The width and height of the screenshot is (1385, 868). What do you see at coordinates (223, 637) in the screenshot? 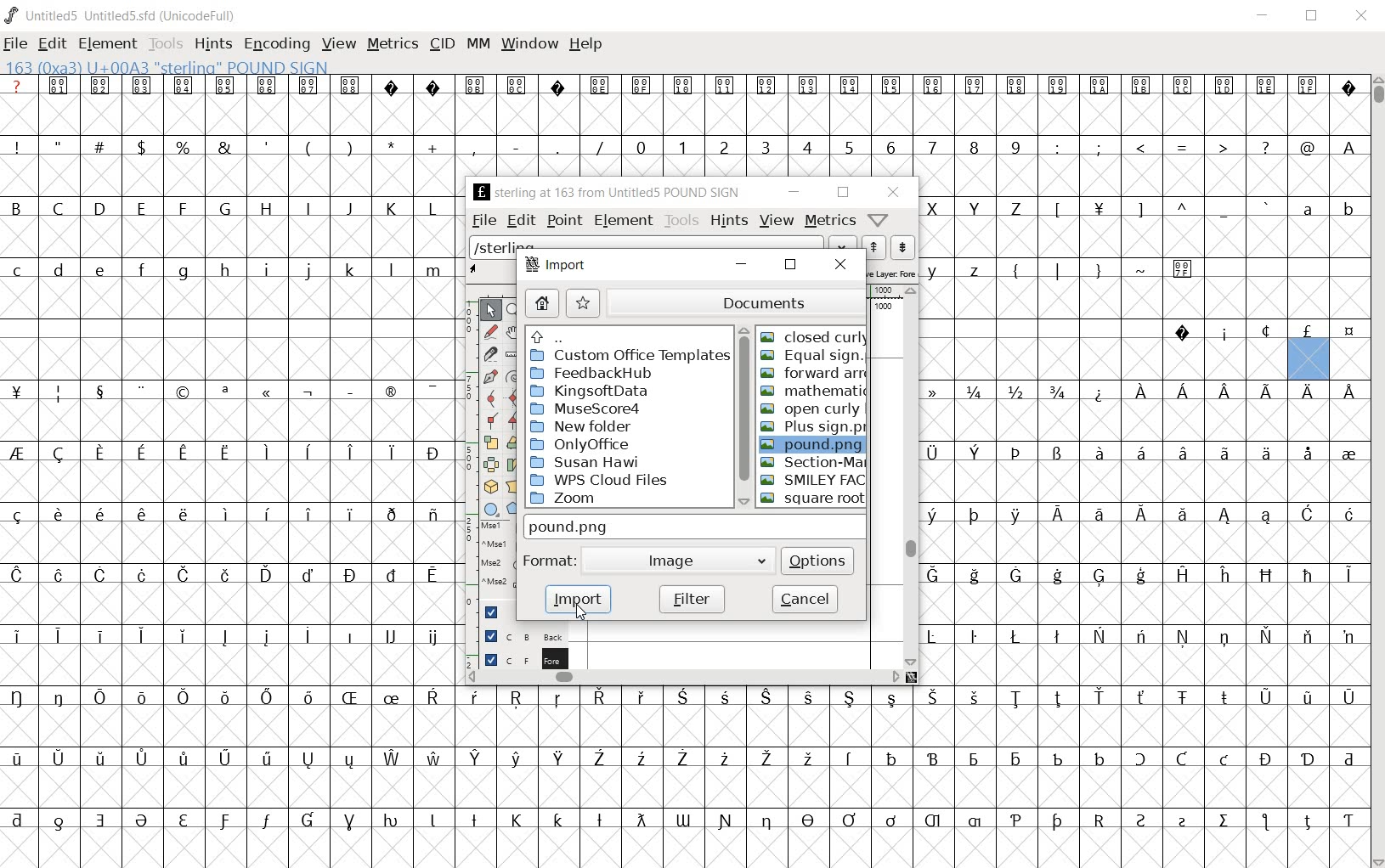
I see `Symbol` at bounding box center [223, 637].